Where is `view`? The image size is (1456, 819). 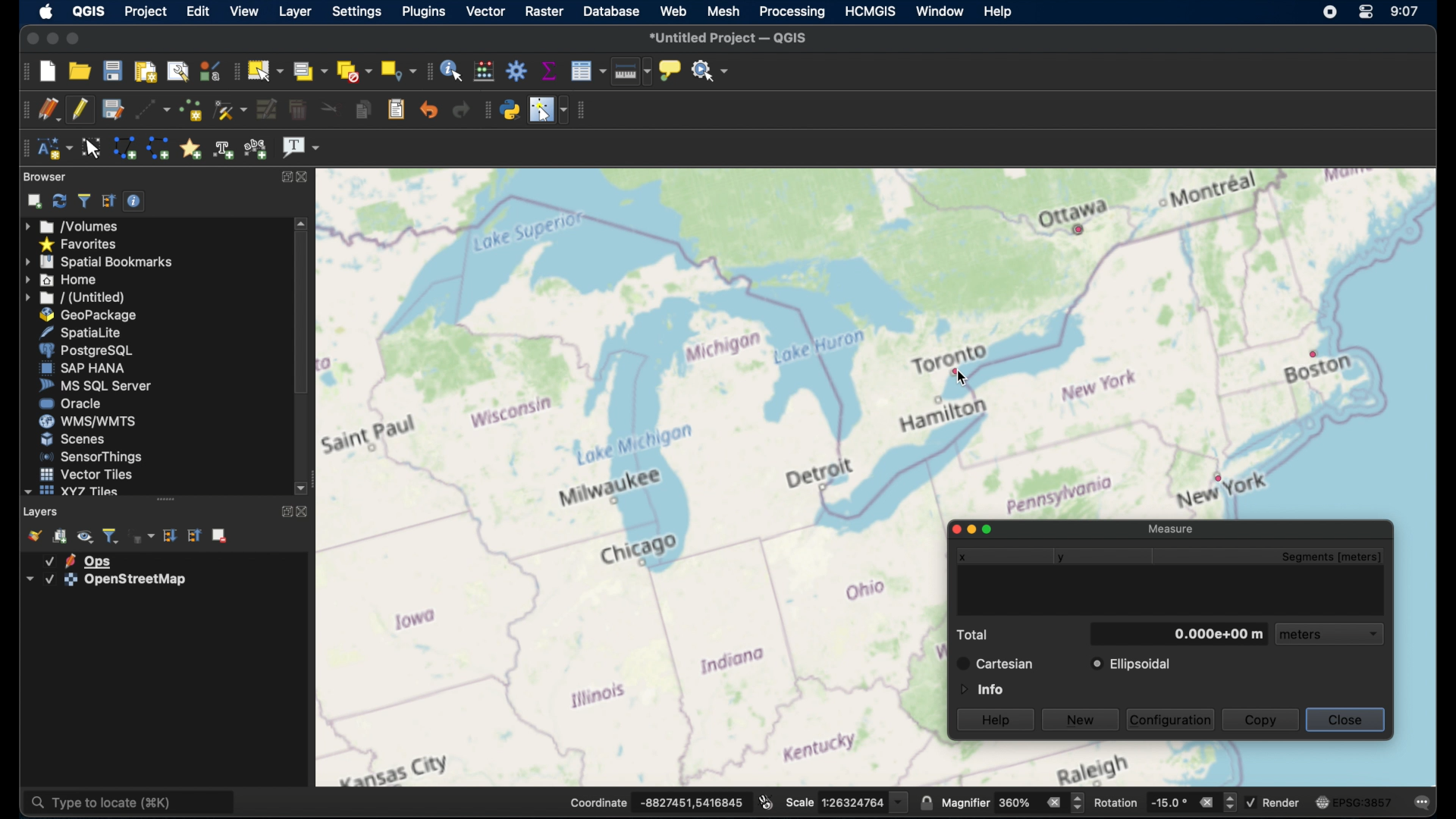 view is located at coordinates (243, 11).